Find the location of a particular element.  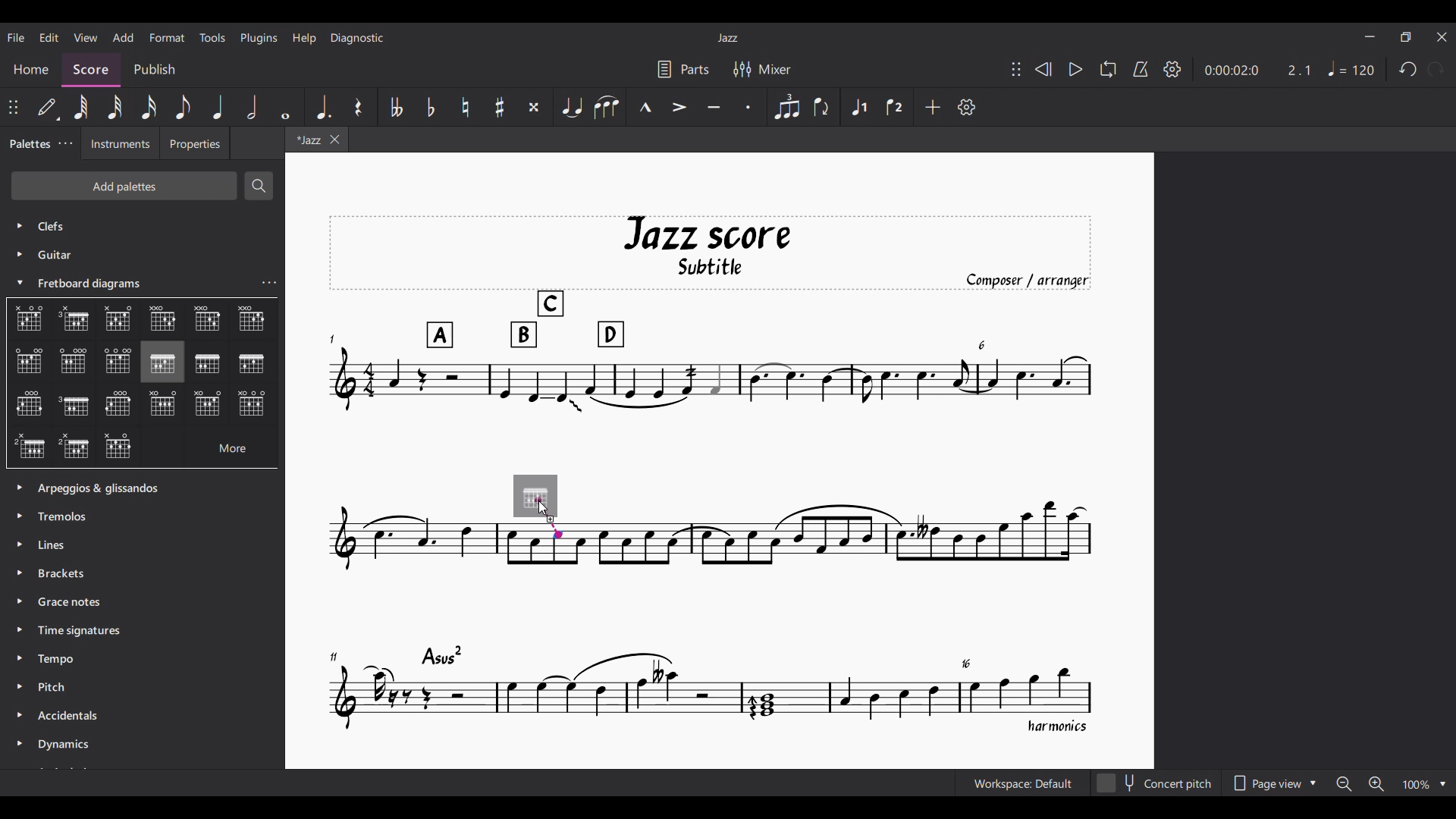

Tempo is located at coordinates (1351, 68).